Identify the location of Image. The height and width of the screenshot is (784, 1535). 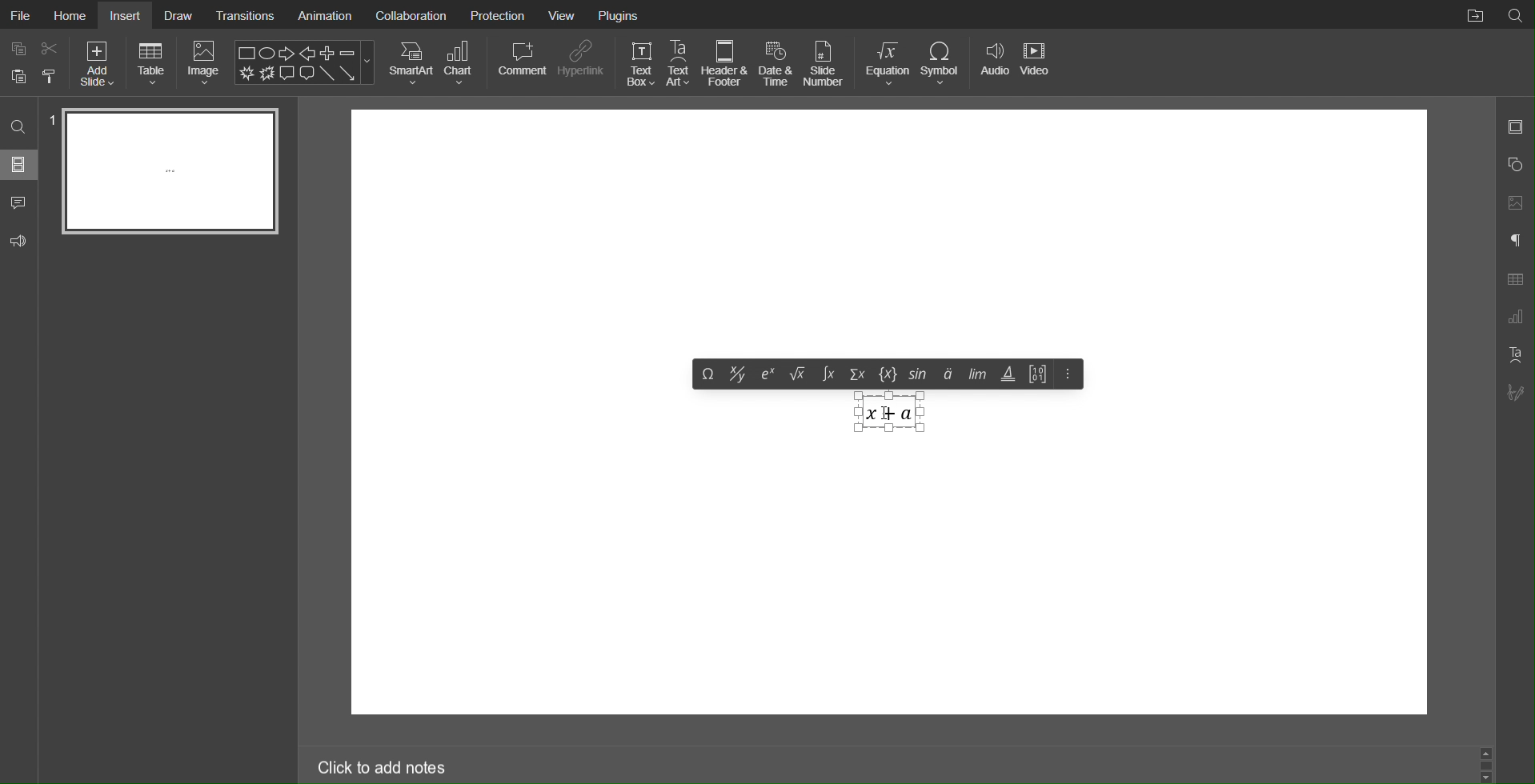
(202, 64).